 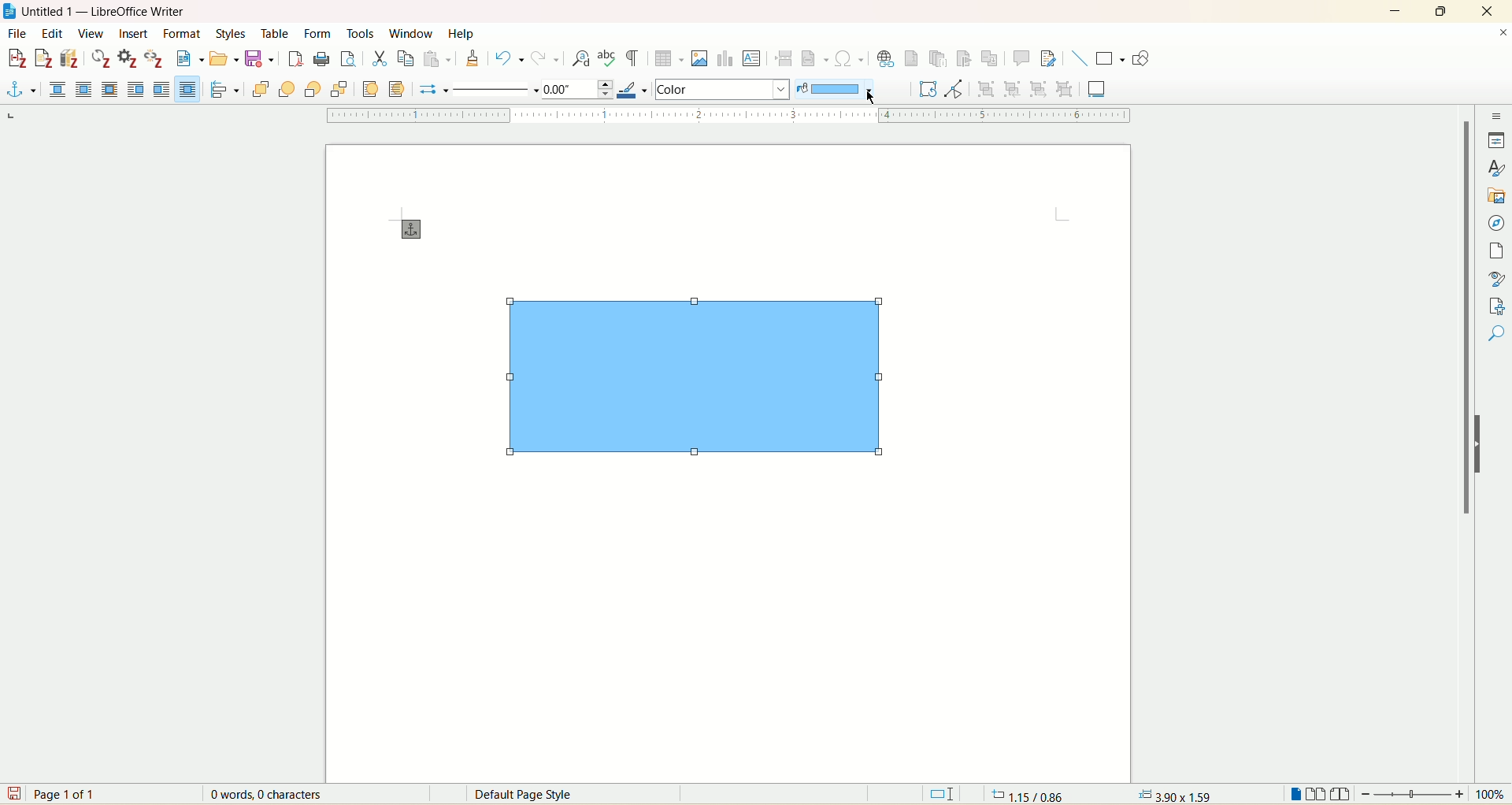 What do you see at coordinates (428, 91) in the screenshot?
I see `start and end arrowheads` at bounding box center [428, 91].